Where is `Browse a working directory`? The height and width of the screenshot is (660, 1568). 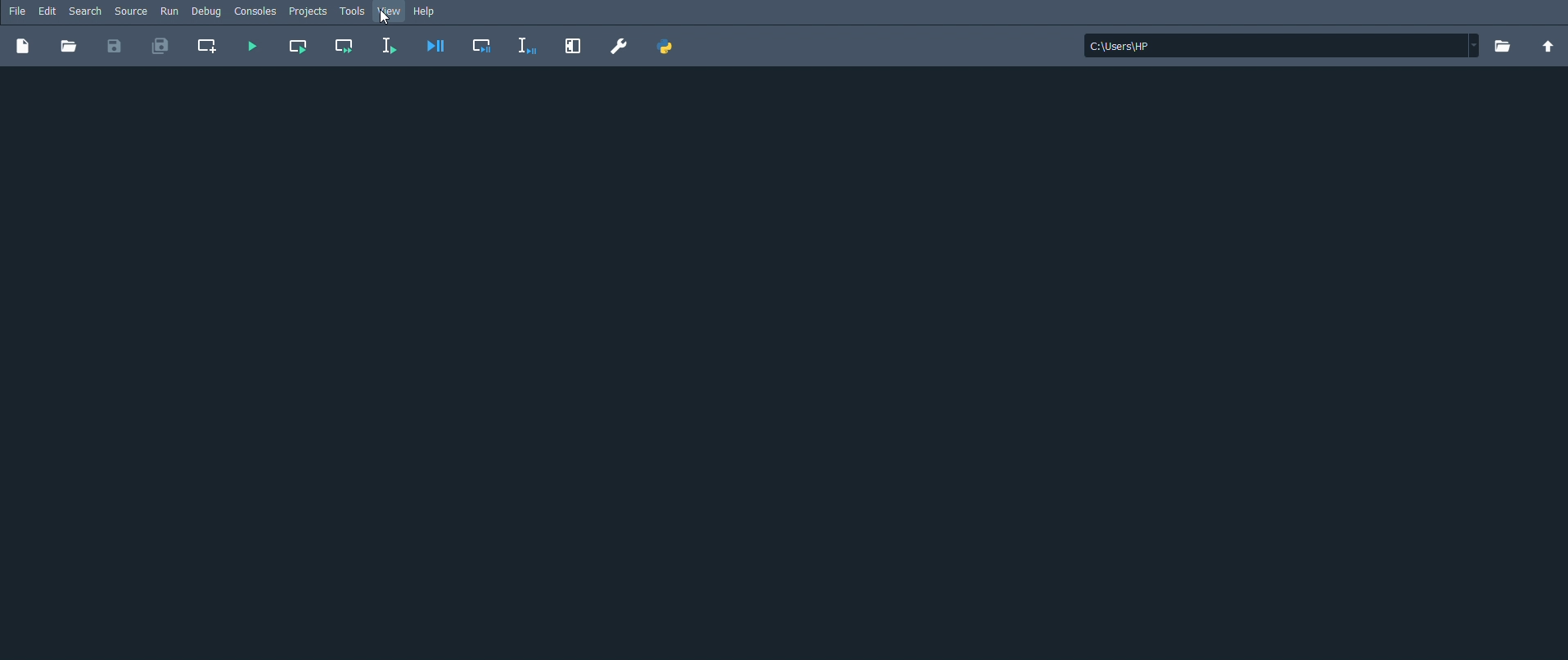 Browse a working directory is located at coordinates (1502, 46).